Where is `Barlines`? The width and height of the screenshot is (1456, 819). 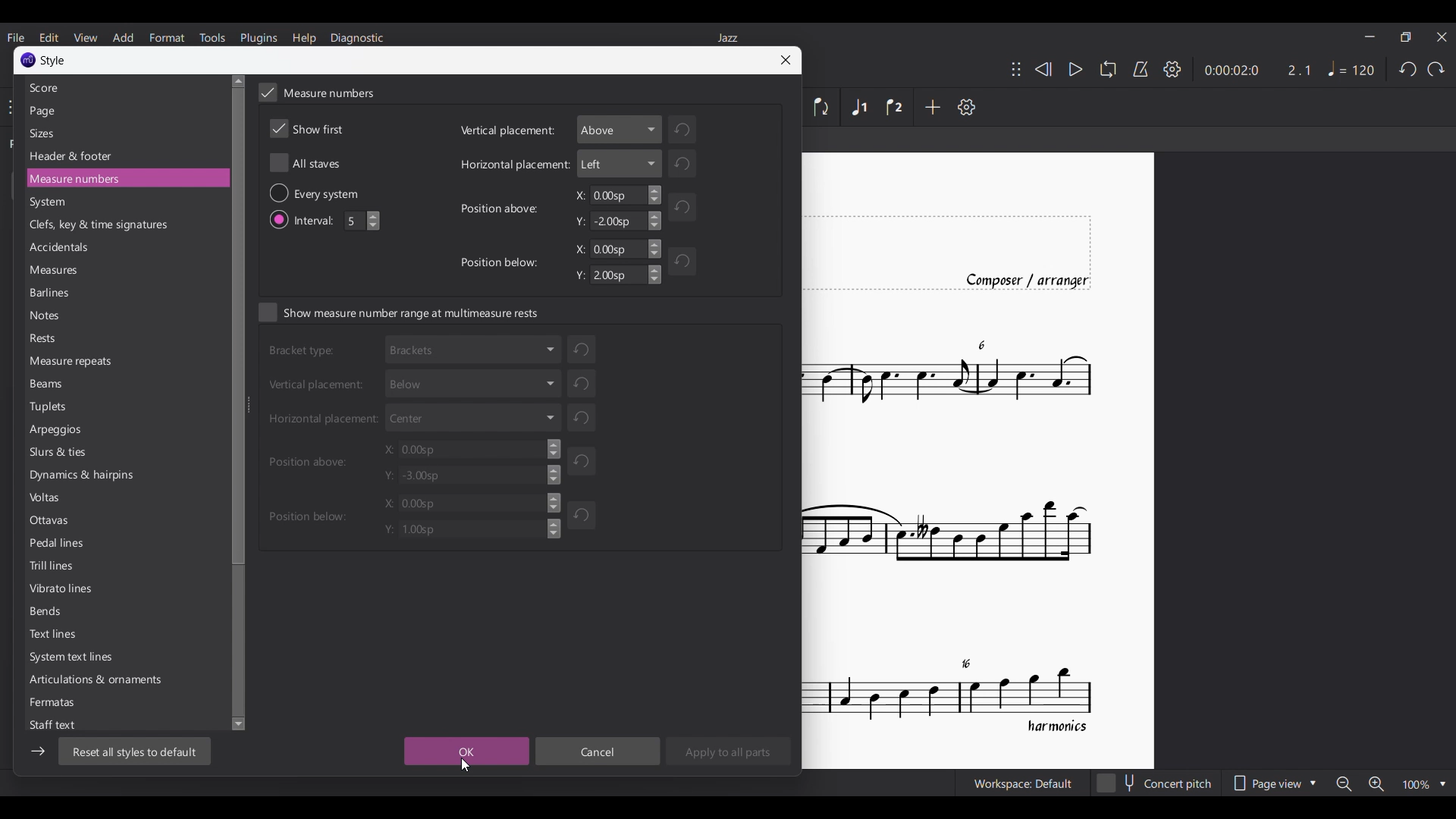 Barlines is located at coordinates (53, 295).